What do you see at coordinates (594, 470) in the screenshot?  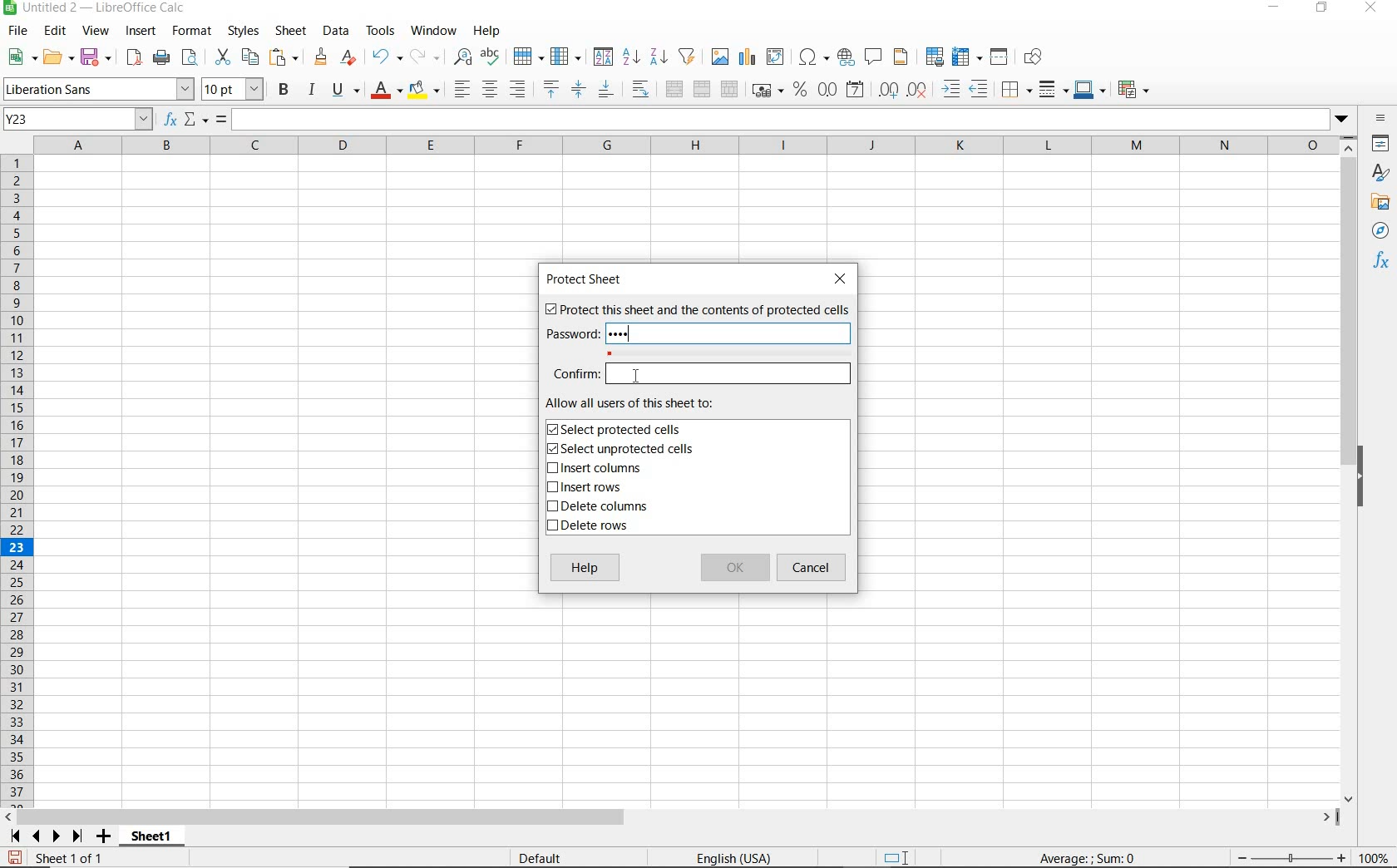 I see `INSERT COLUMNS` at bounding box center [594, 470].